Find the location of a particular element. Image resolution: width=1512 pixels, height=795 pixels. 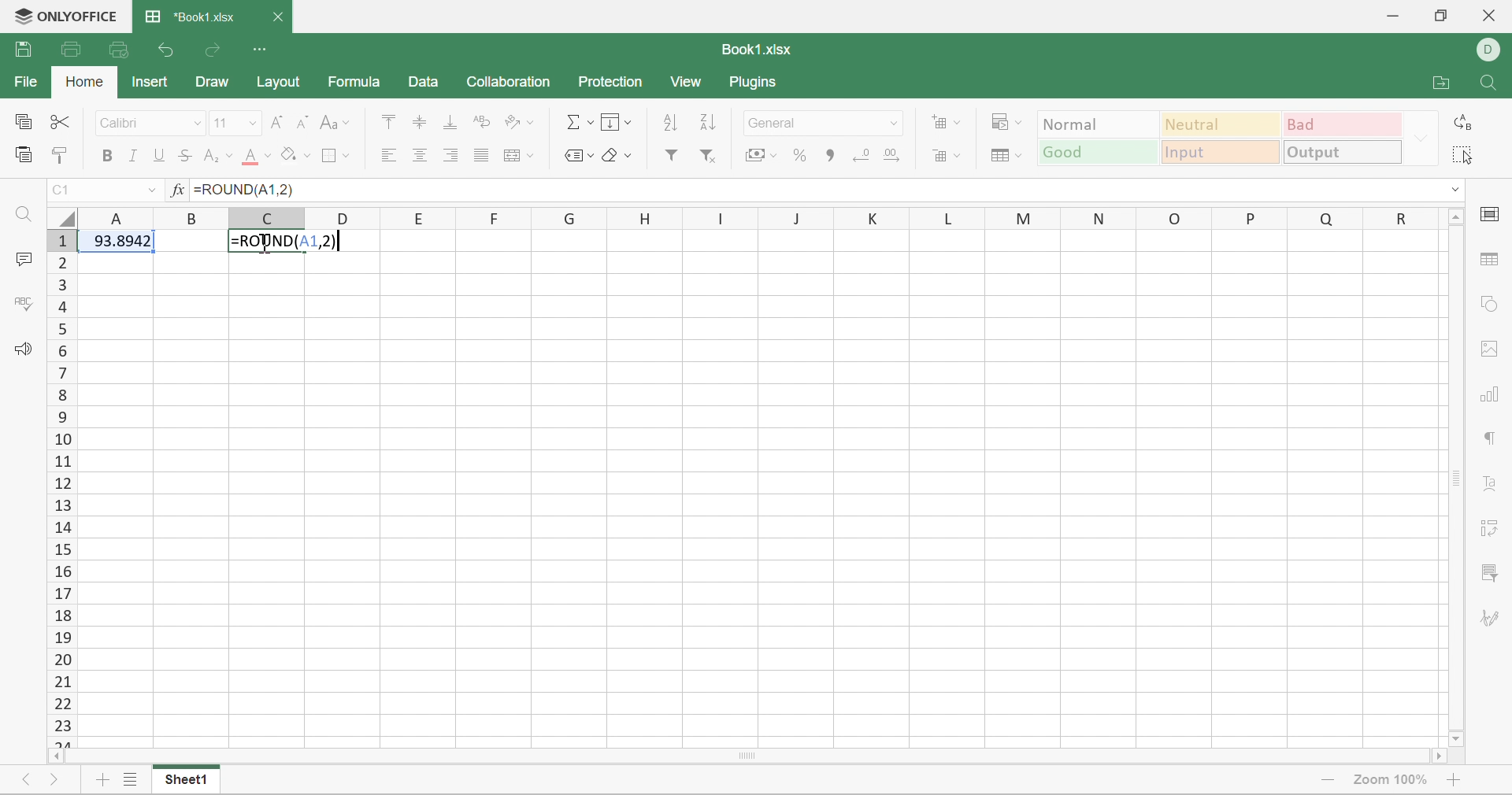

*Book1.xlsx is located at coordinates (188, 17).